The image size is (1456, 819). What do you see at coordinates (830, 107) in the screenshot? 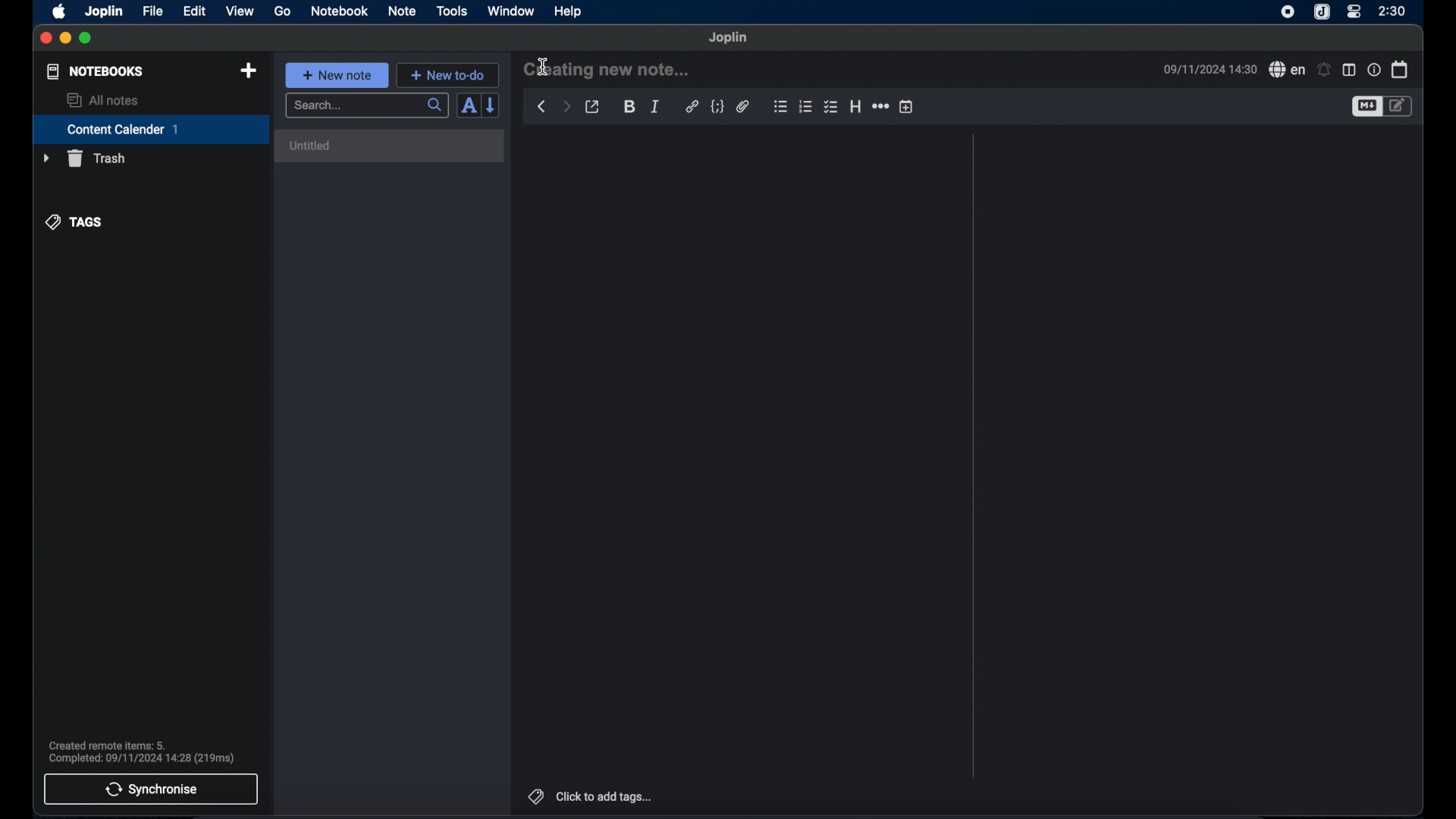
I see `checklist` at bounding box center [830, 107].